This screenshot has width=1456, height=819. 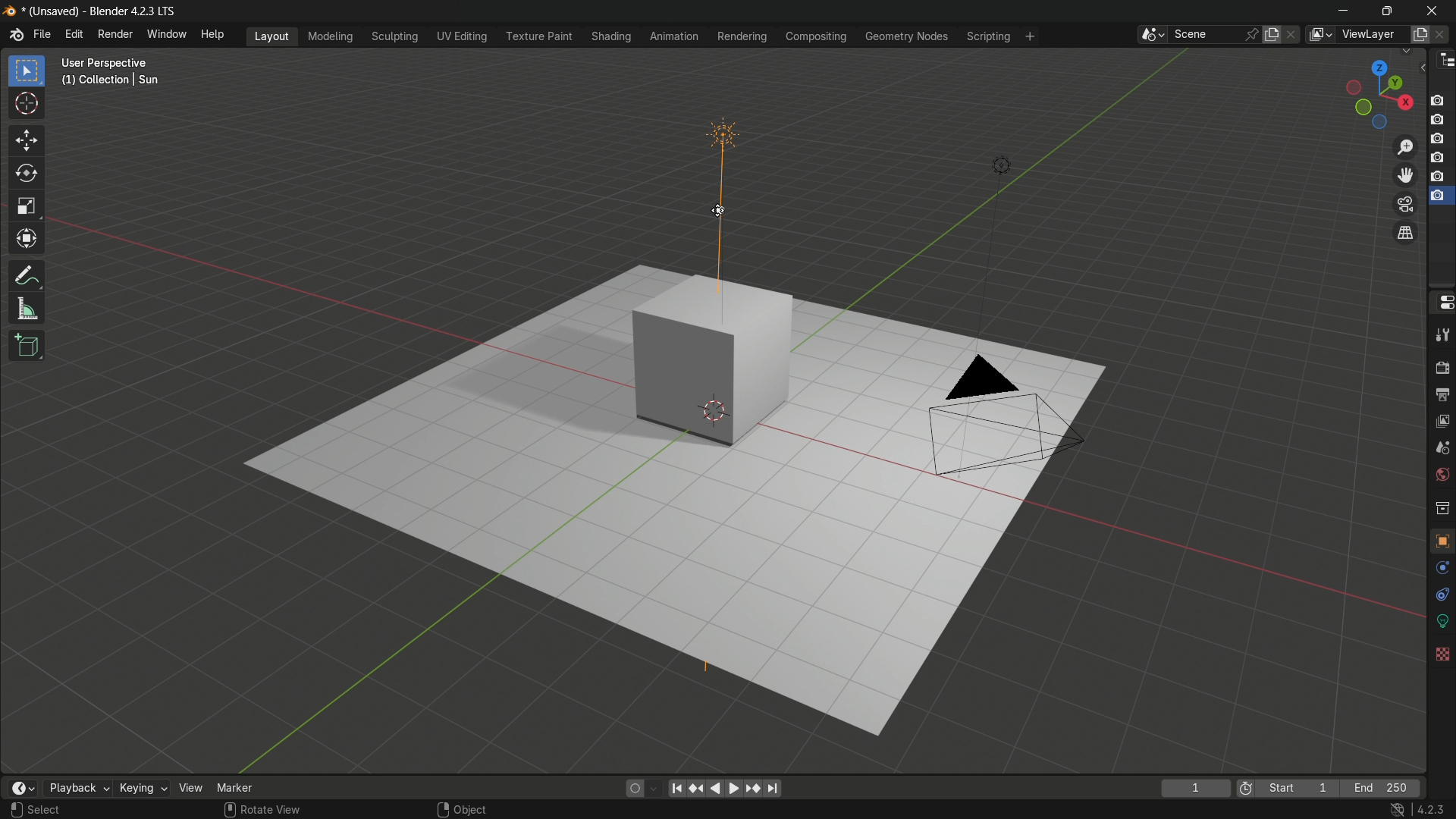 What do you see at coordinates (1443, 475) in the screenshot?
I see `world` at bounding box center [1443, 475].